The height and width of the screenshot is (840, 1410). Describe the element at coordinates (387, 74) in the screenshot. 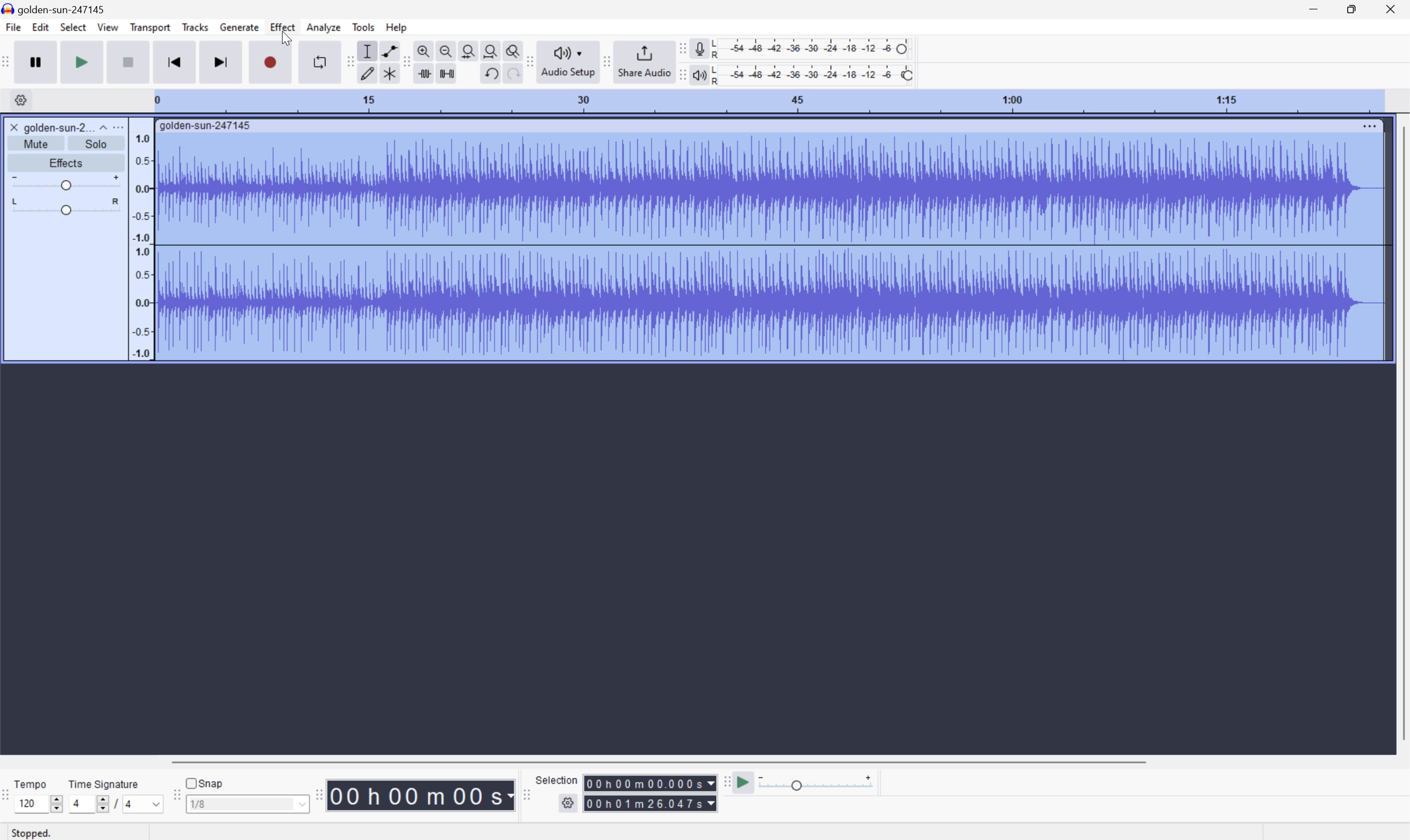

I see `Multi tool` at that location.